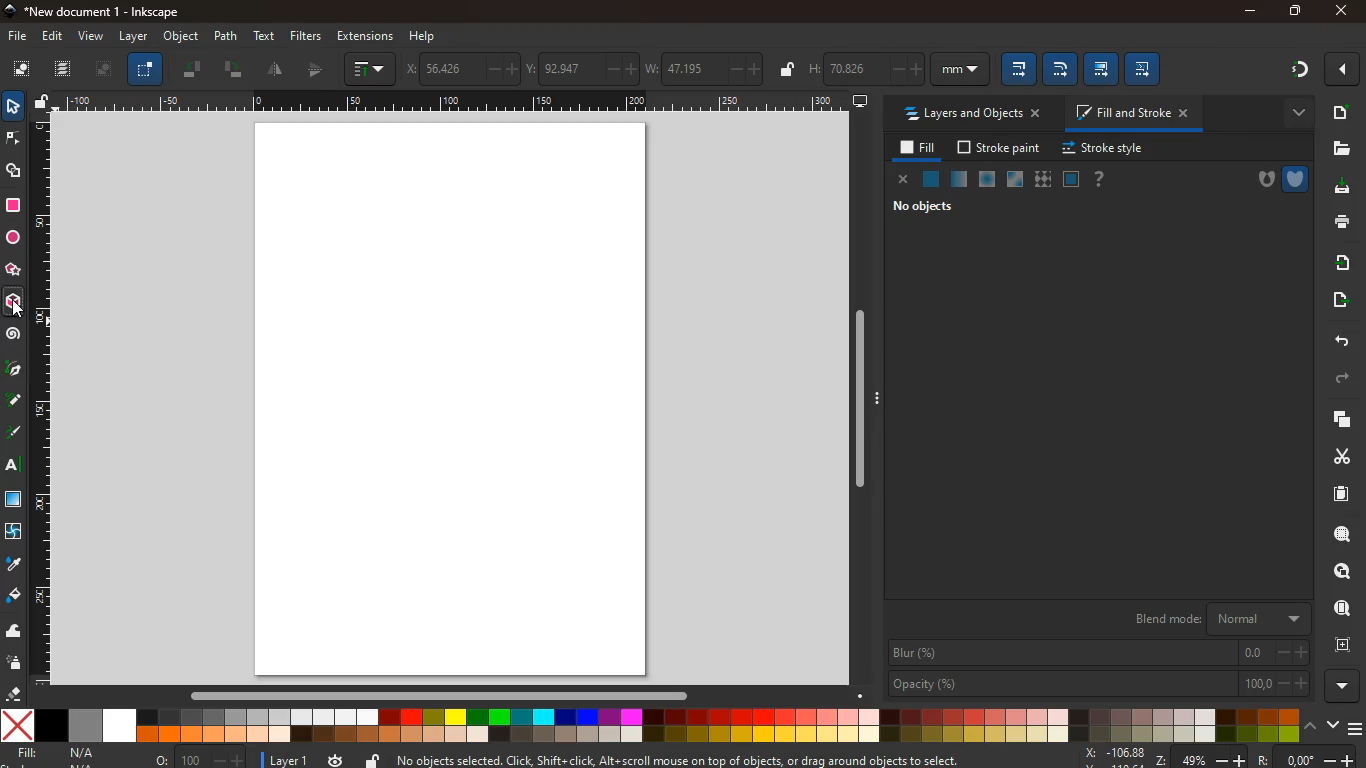 This screenshot has height=768, width=1366. Describe the element at coordinates (22, 312) in the screenshot. I see `cursor` at that location.